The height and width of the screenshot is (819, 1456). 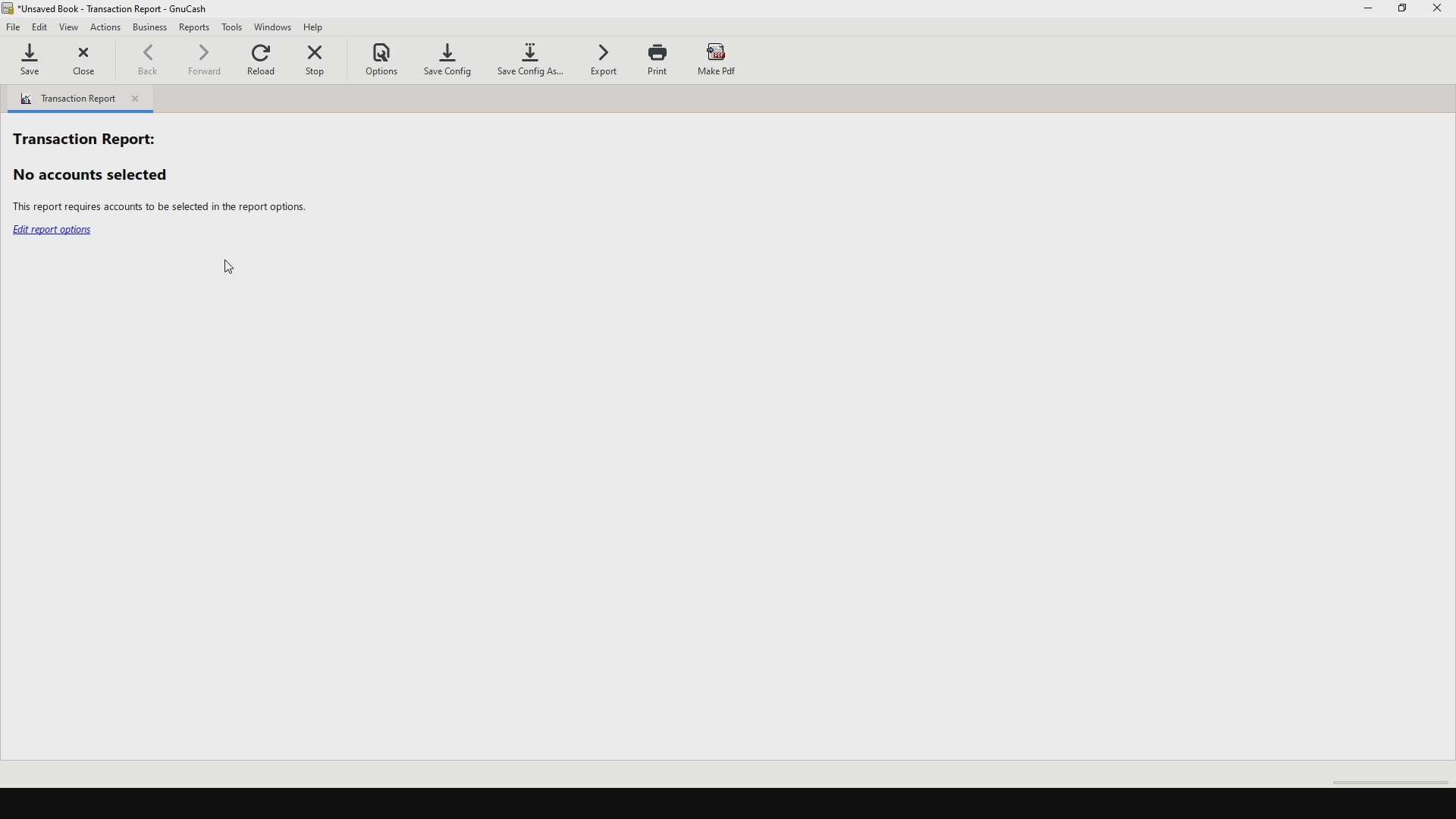 What do you see at coordinates (322, 27) in the screenshot?
I see `help` at bounding box center [322, 27].